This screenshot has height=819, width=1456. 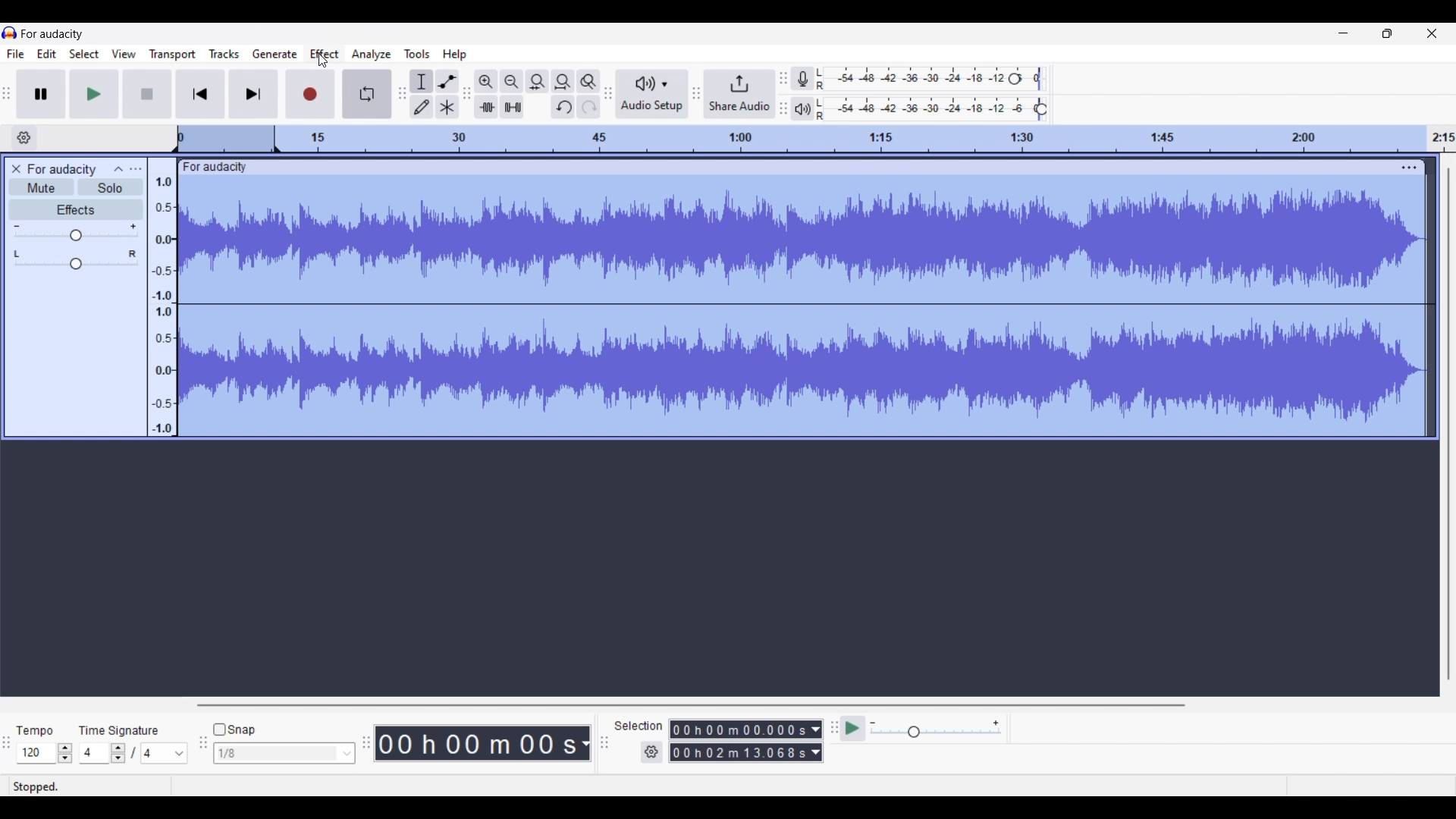 I want to click on Zoom in, so click(x=486, y=81).